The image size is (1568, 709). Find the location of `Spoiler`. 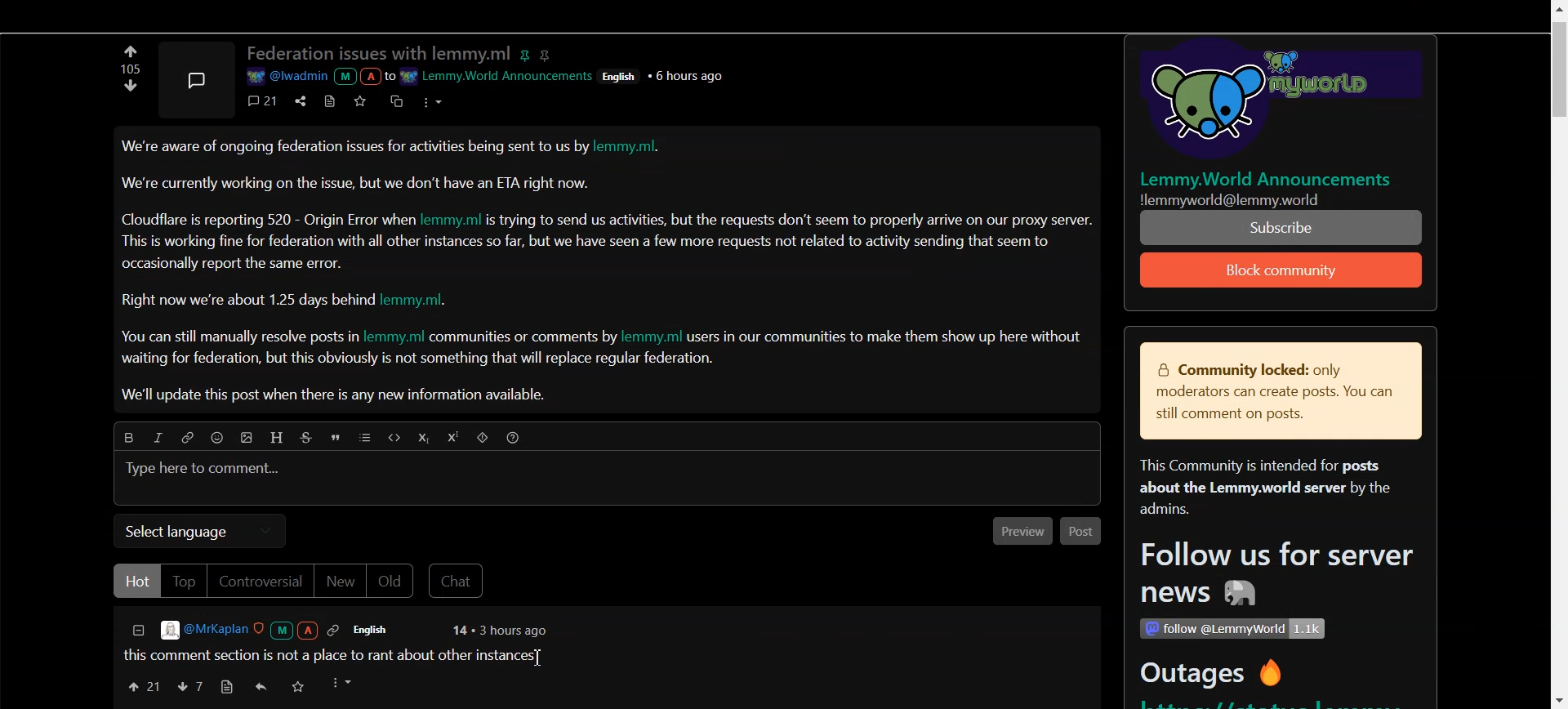

Spoiler is located at coordinates (484, 439).